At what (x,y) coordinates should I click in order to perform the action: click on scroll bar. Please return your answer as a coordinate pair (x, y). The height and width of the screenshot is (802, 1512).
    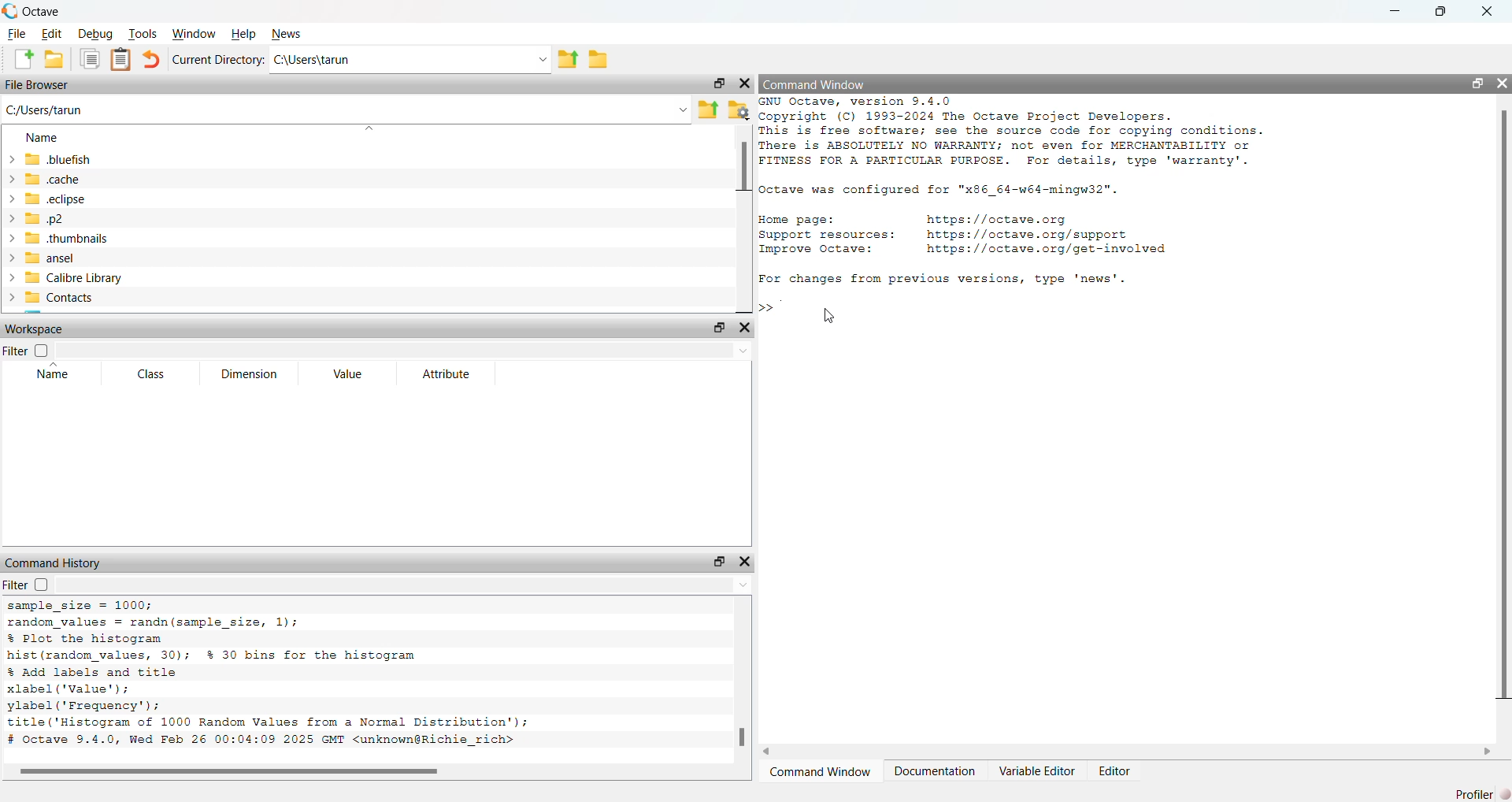
    Looking at the image, I should click on (1503, 408).